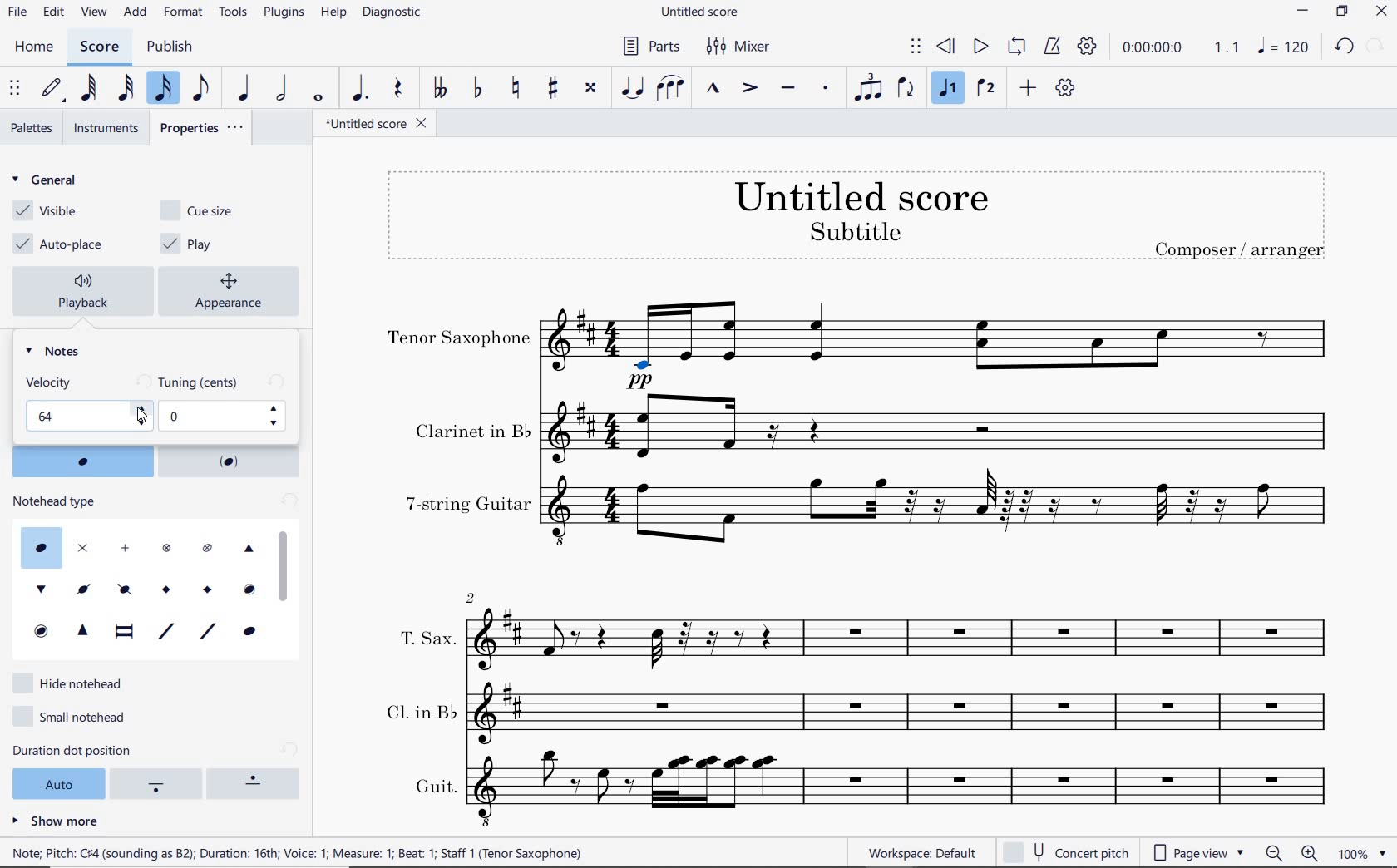 This screenshot has width=1397, height=868. Describe the element at coordinates (285, 13) in the screenshot. I see `plugins` at that location.